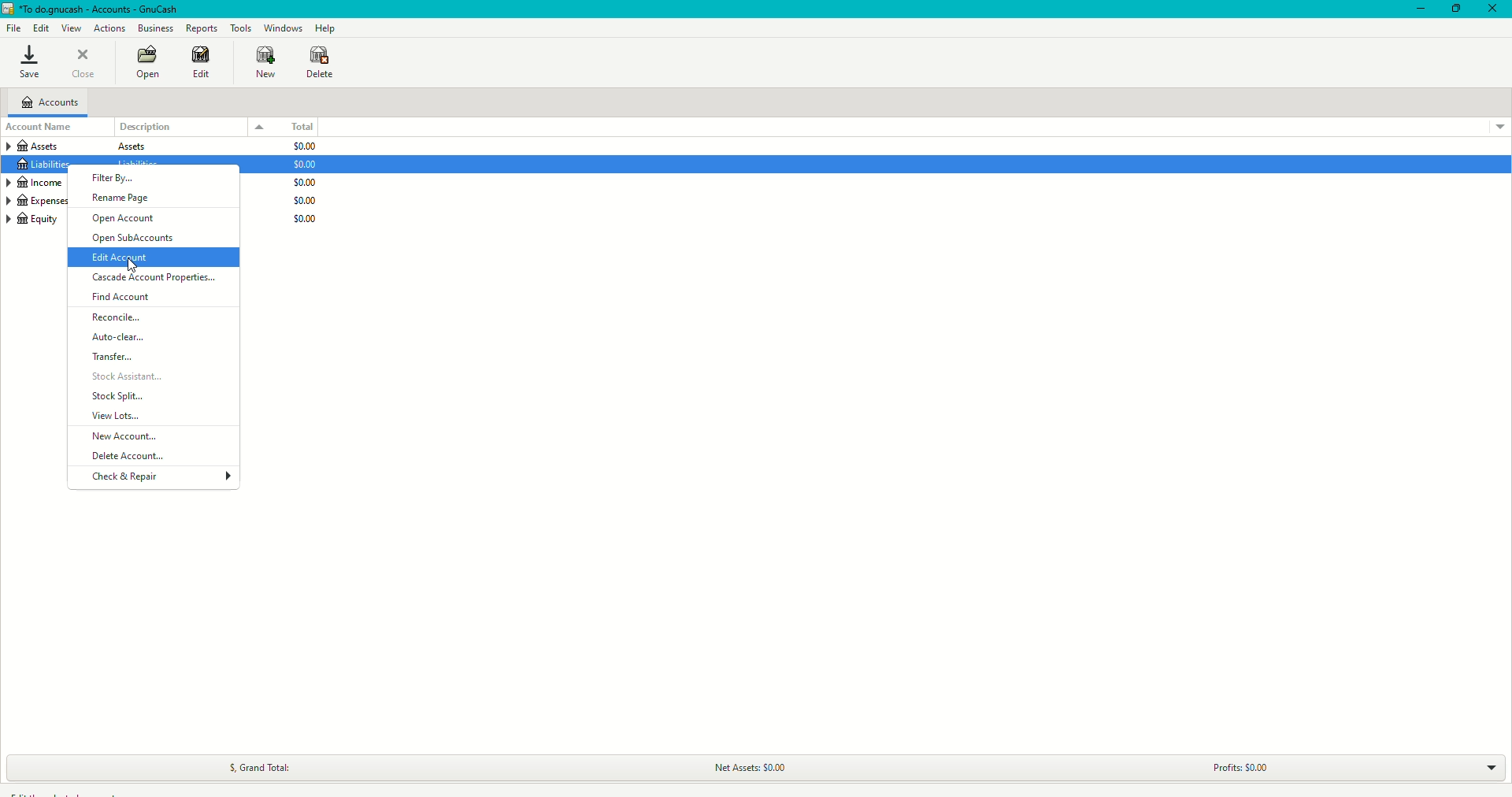 Image resolution: width=1512 pixels, height=797 pixels. What do you see at coordinates (150, 126) in the screenshot?
I see `Description` at bounding box center [150, 126].